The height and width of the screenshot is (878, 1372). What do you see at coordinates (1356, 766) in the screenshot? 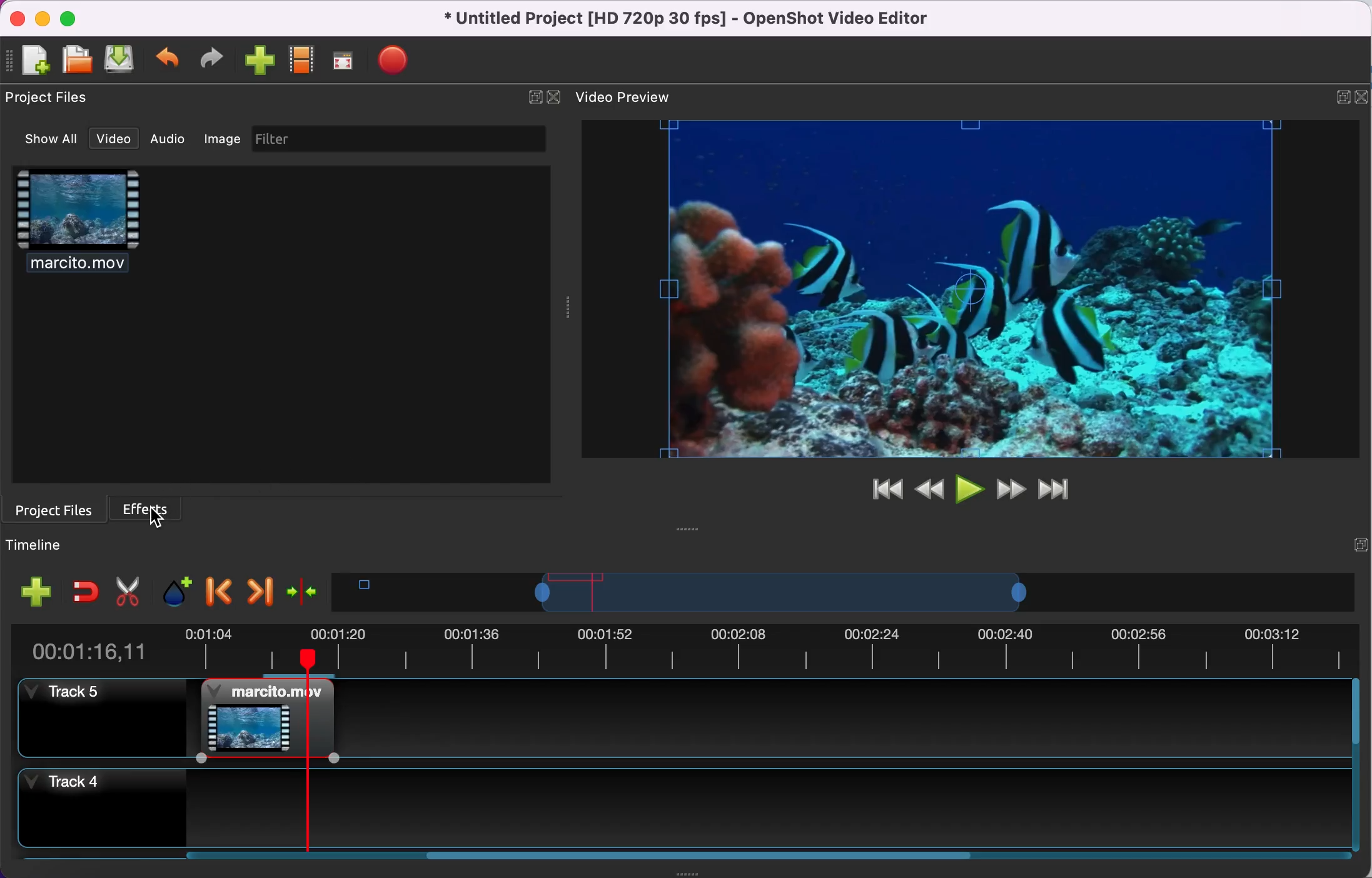
I see `Vertical slide bar` at bounding box center [1356, 766].